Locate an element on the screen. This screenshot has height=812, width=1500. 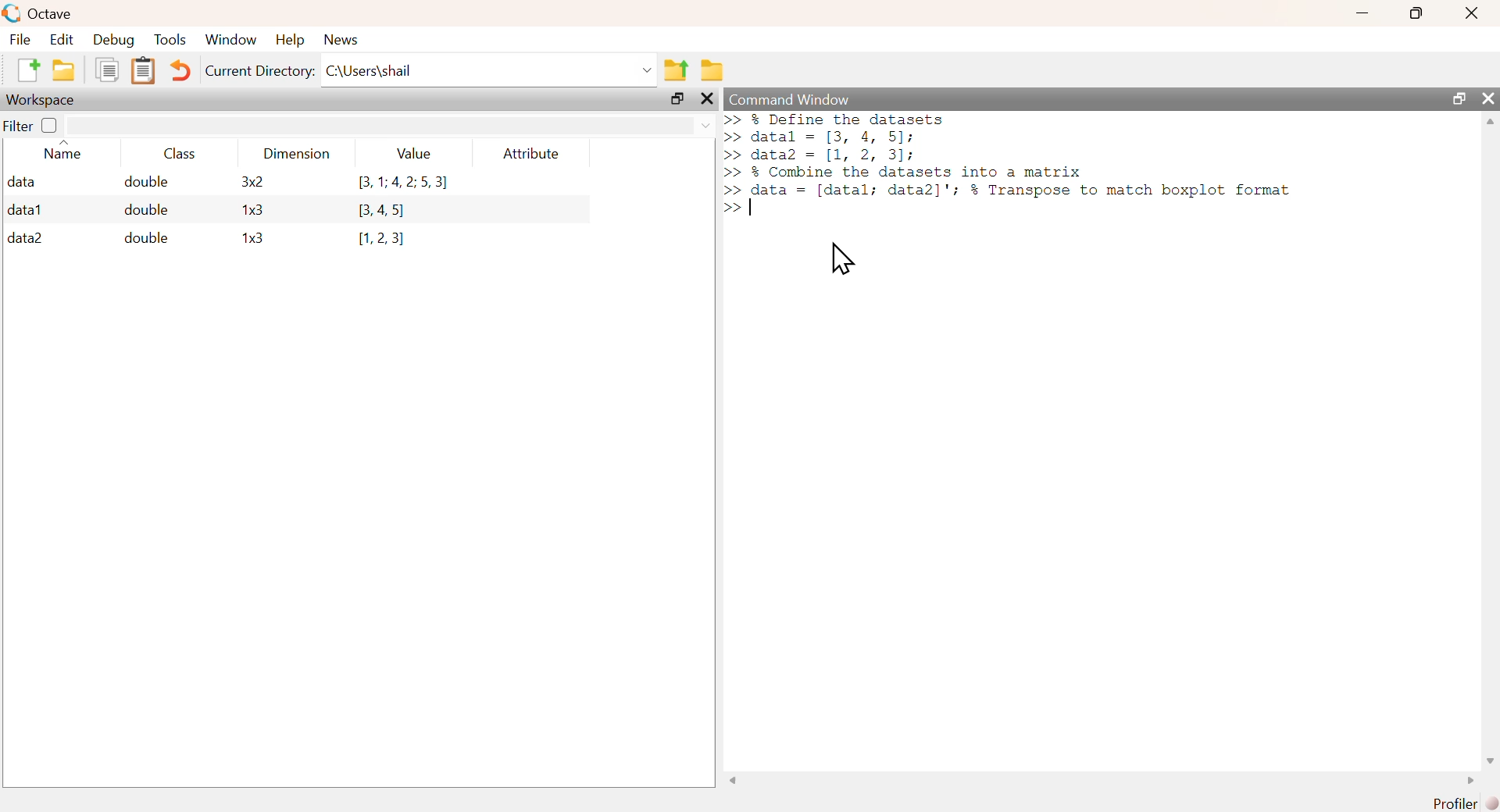
Value is located at coordinates (420, 153).